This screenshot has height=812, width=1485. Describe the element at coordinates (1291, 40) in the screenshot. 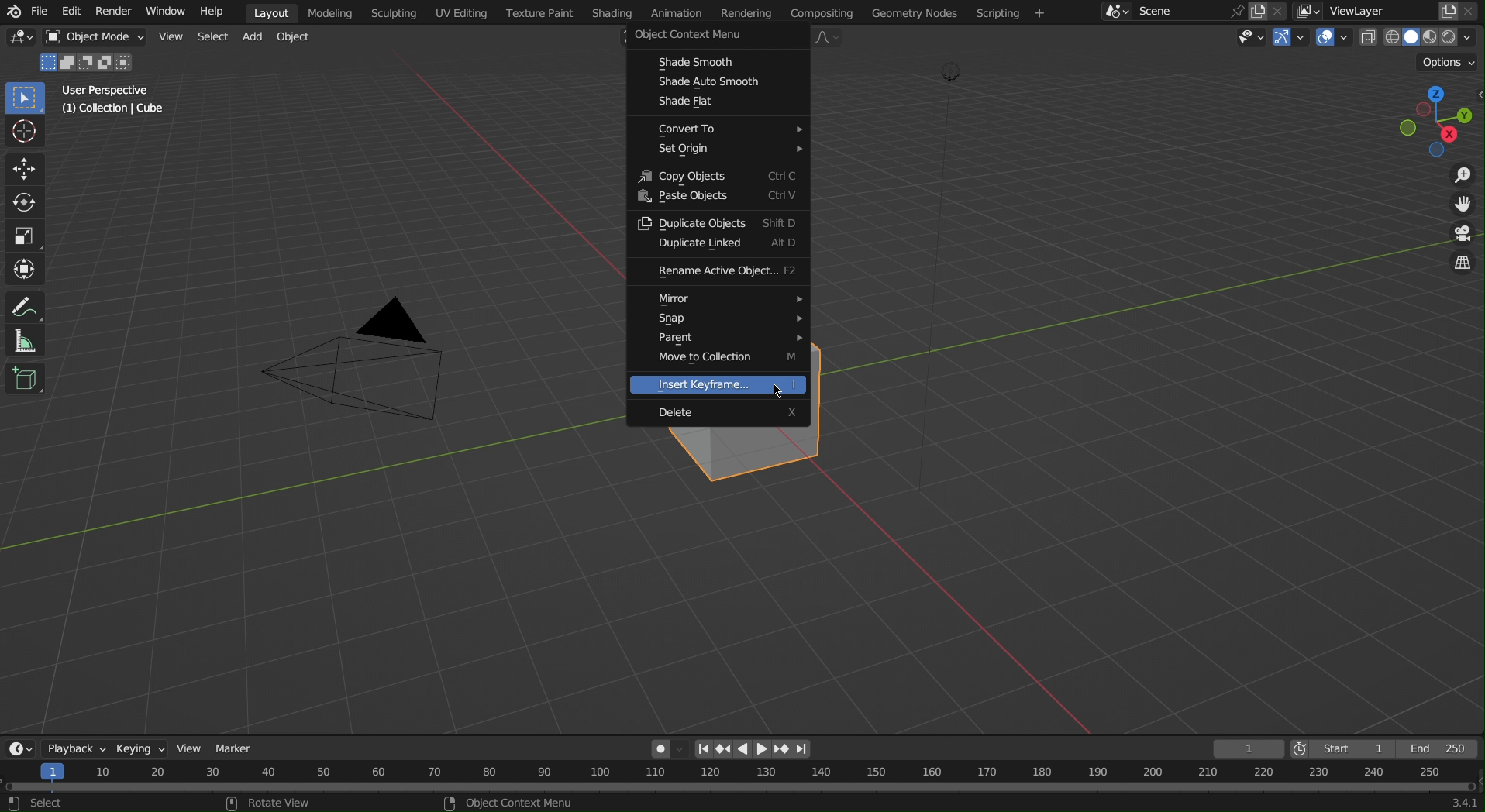

I see `Show Gizmo` at that location.